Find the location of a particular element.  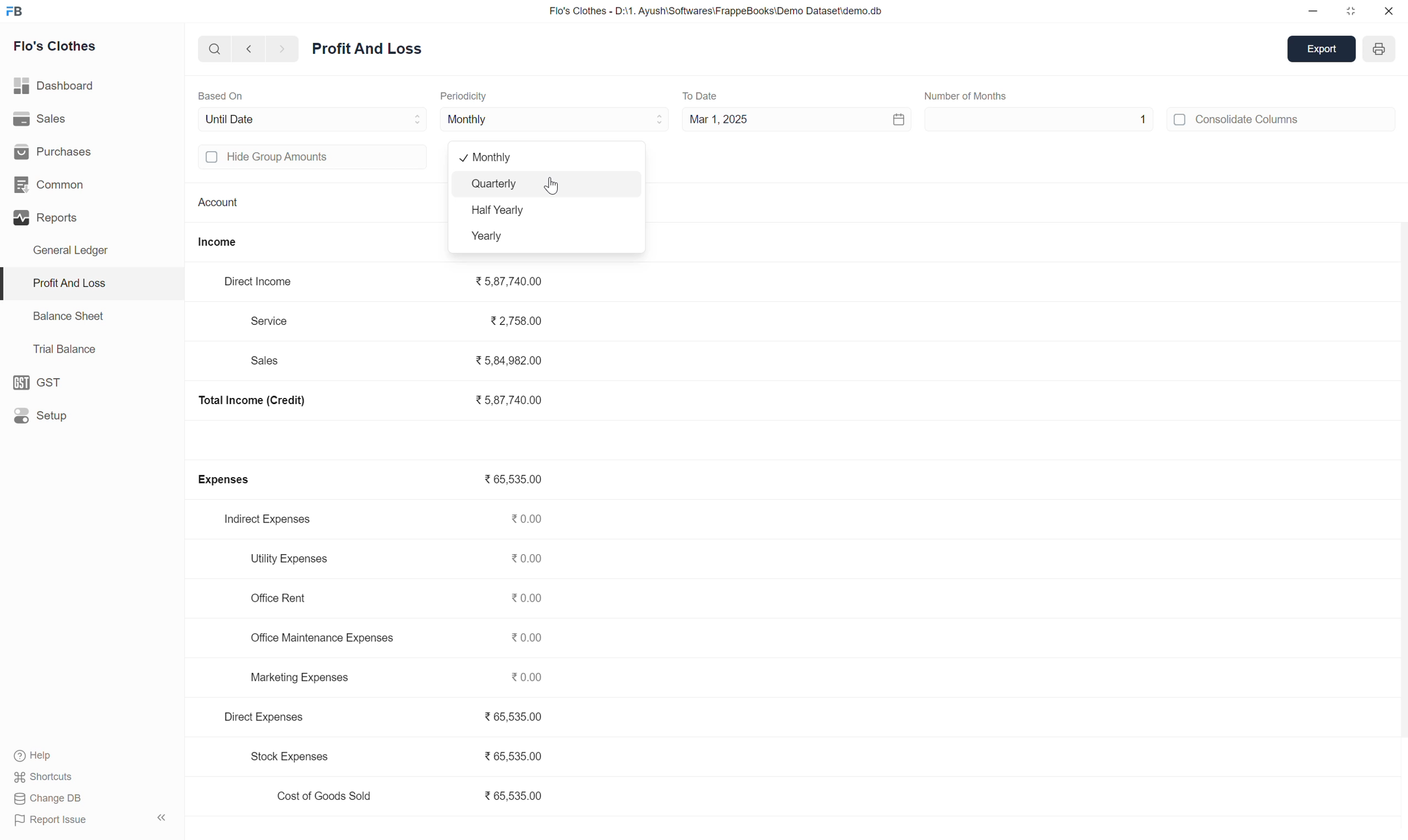

Common is located at coordinates (56, 186).